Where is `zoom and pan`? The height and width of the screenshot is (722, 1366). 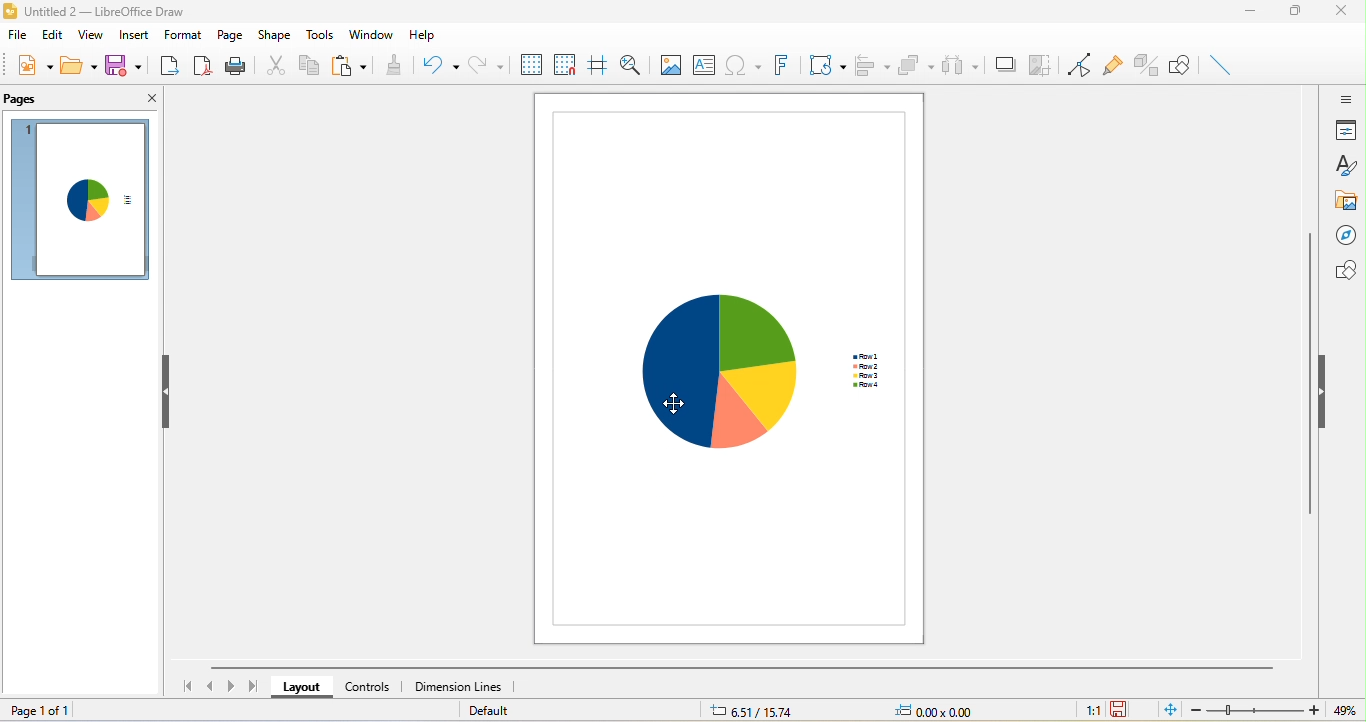
zoom and pan is located at coordinates (629, 64).